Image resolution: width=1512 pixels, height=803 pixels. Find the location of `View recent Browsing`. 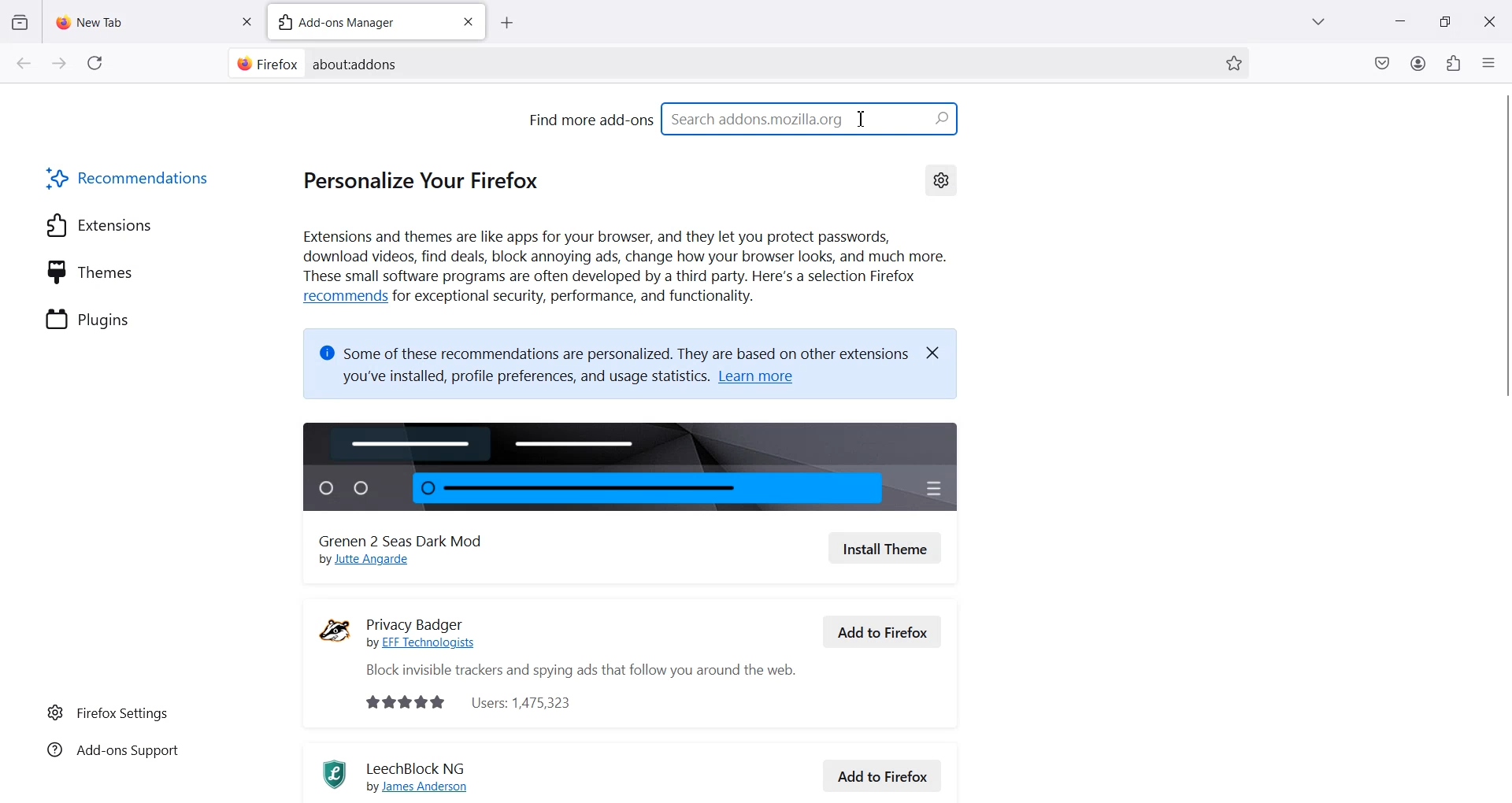

View recent Browsing is located at coordinates (20, 23).